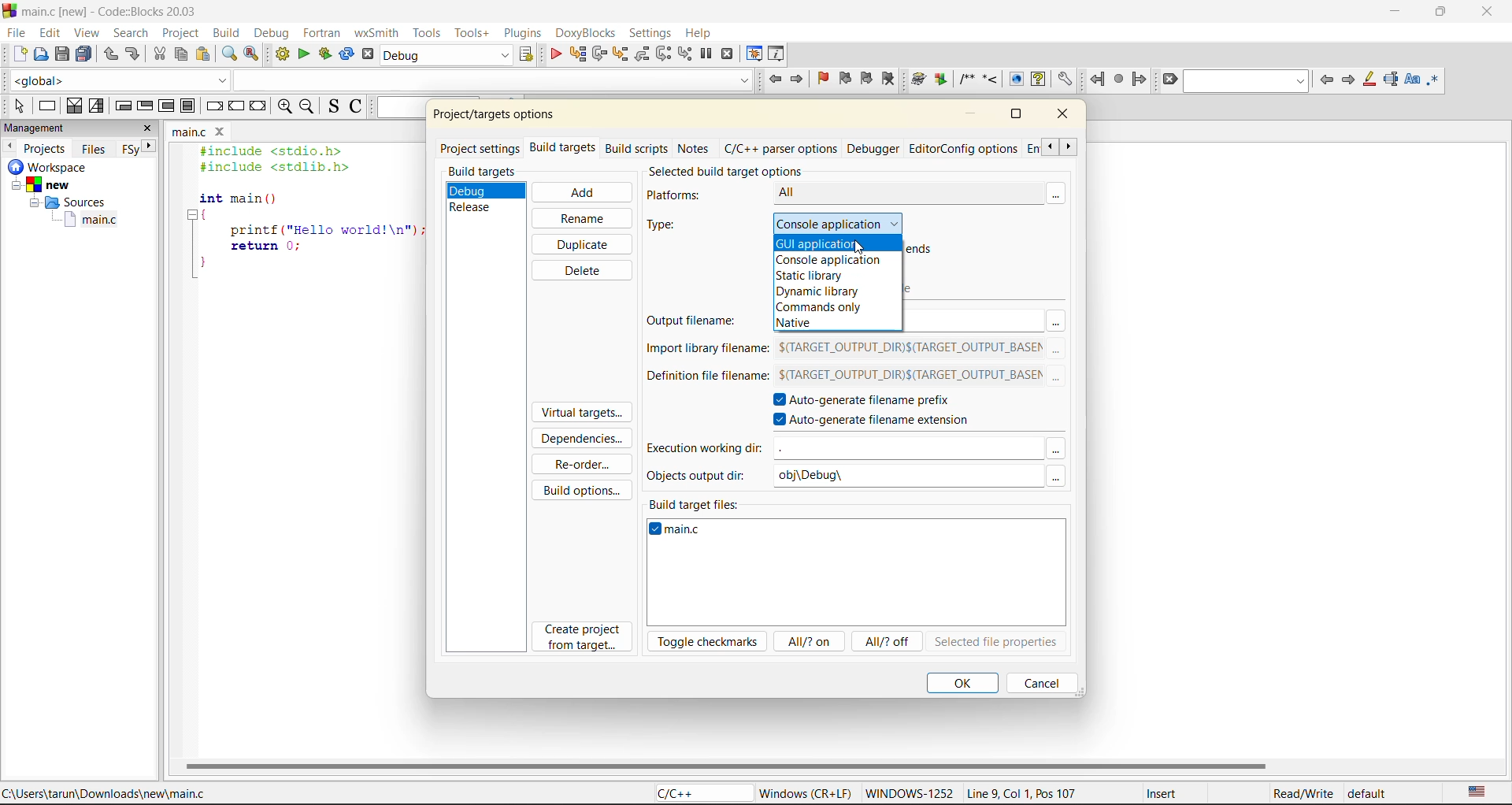  What do you see at coordinates (565, 150) in the screenshot?
I see `build targets` at bounding box center [565, 150].